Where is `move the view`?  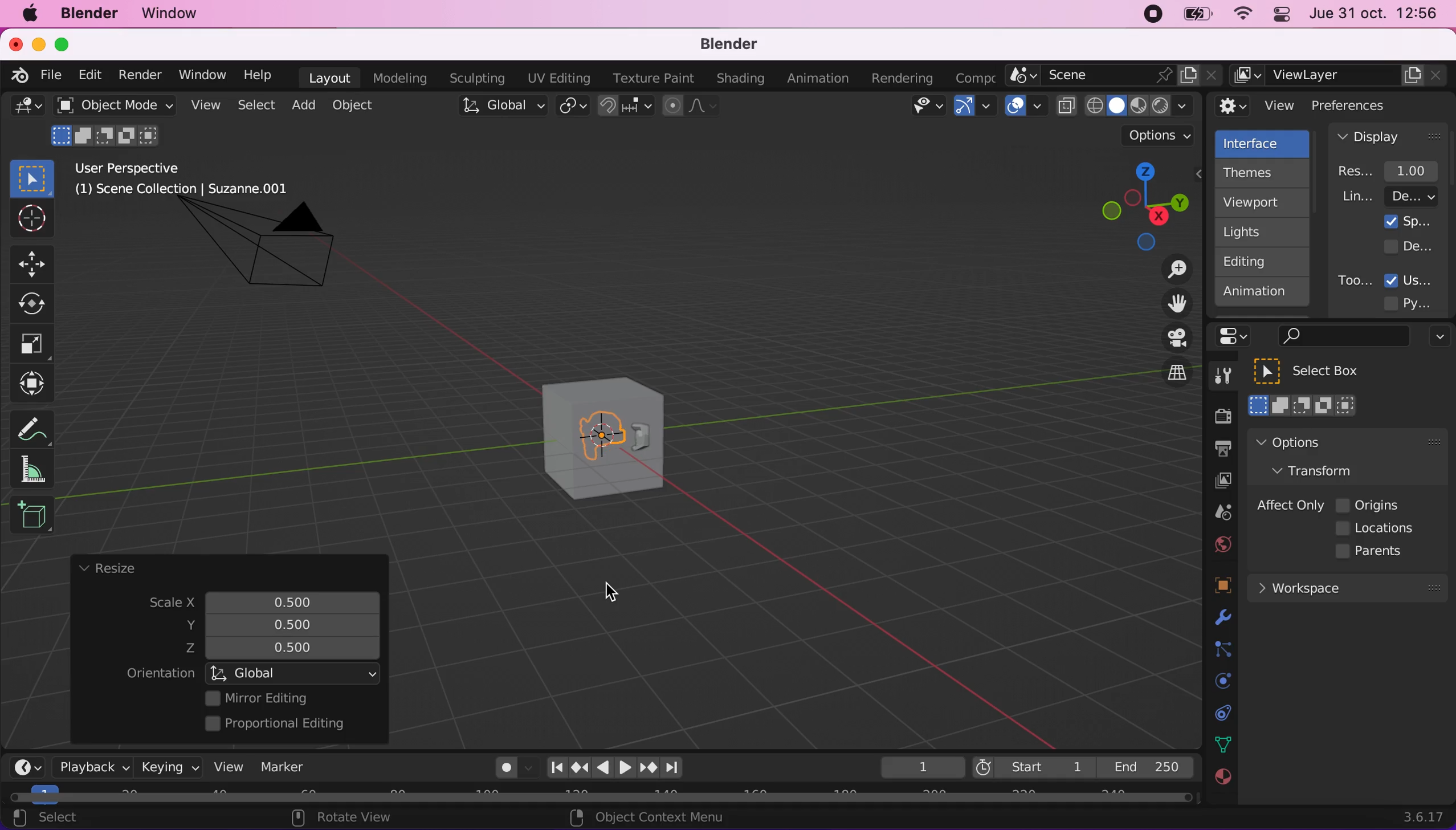 move the view is located at coordinates (1168, 304).